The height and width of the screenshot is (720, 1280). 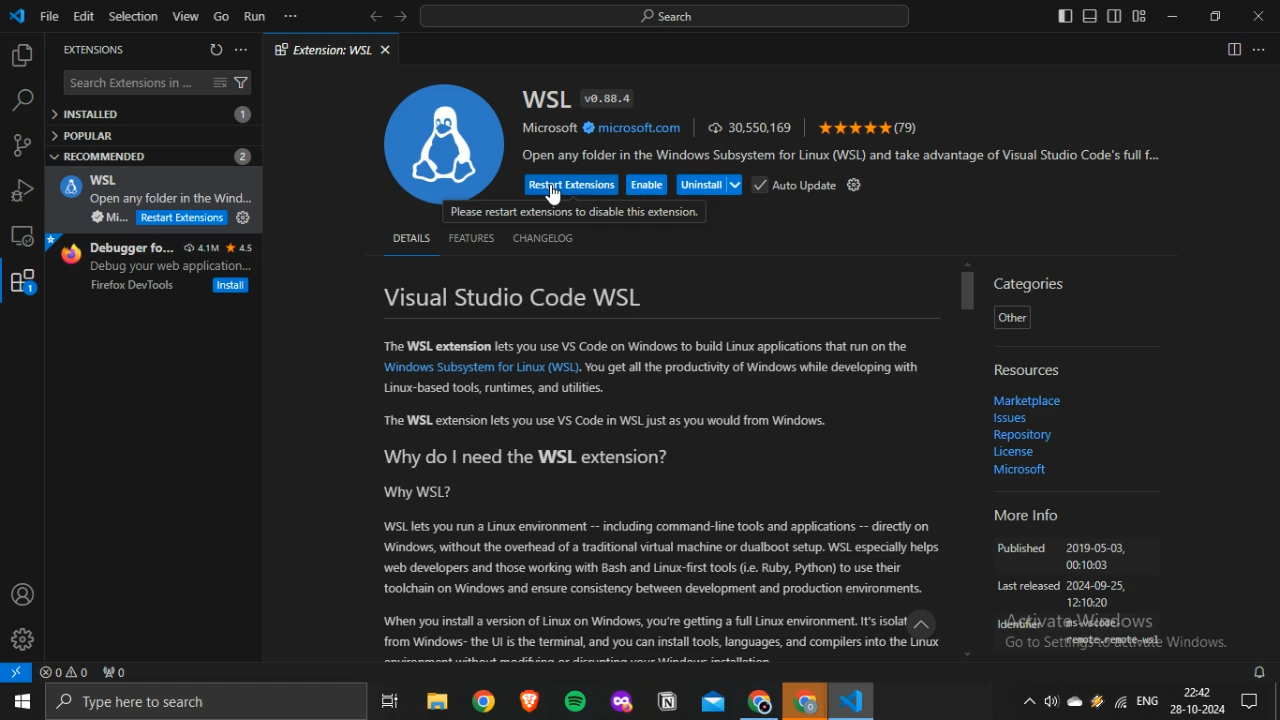 I want to click on Please restart extensions to disable this extension., so click(x=575, y=213).